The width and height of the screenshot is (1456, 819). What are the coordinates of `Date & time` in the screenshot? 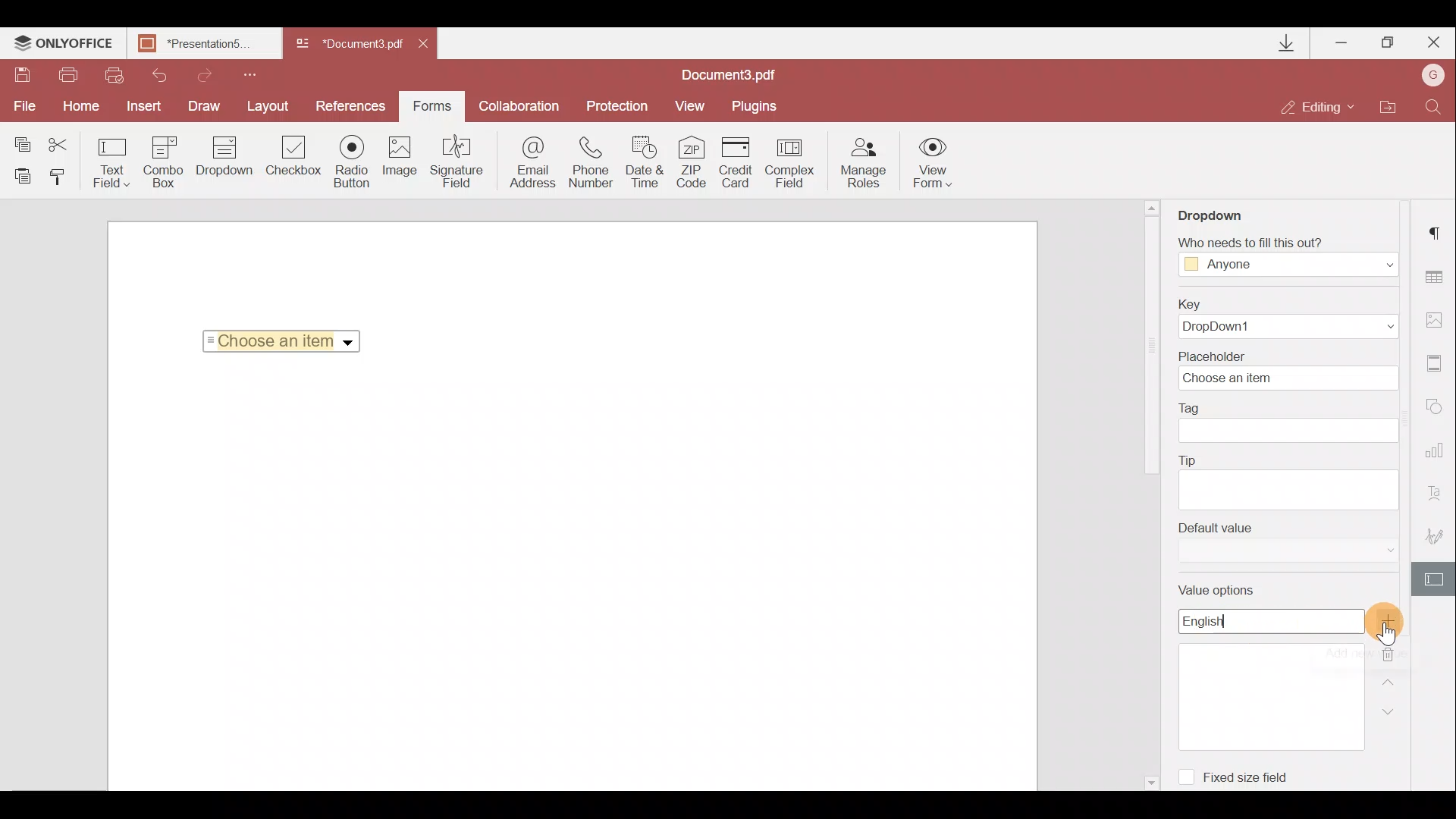 It's located at (646, 165).